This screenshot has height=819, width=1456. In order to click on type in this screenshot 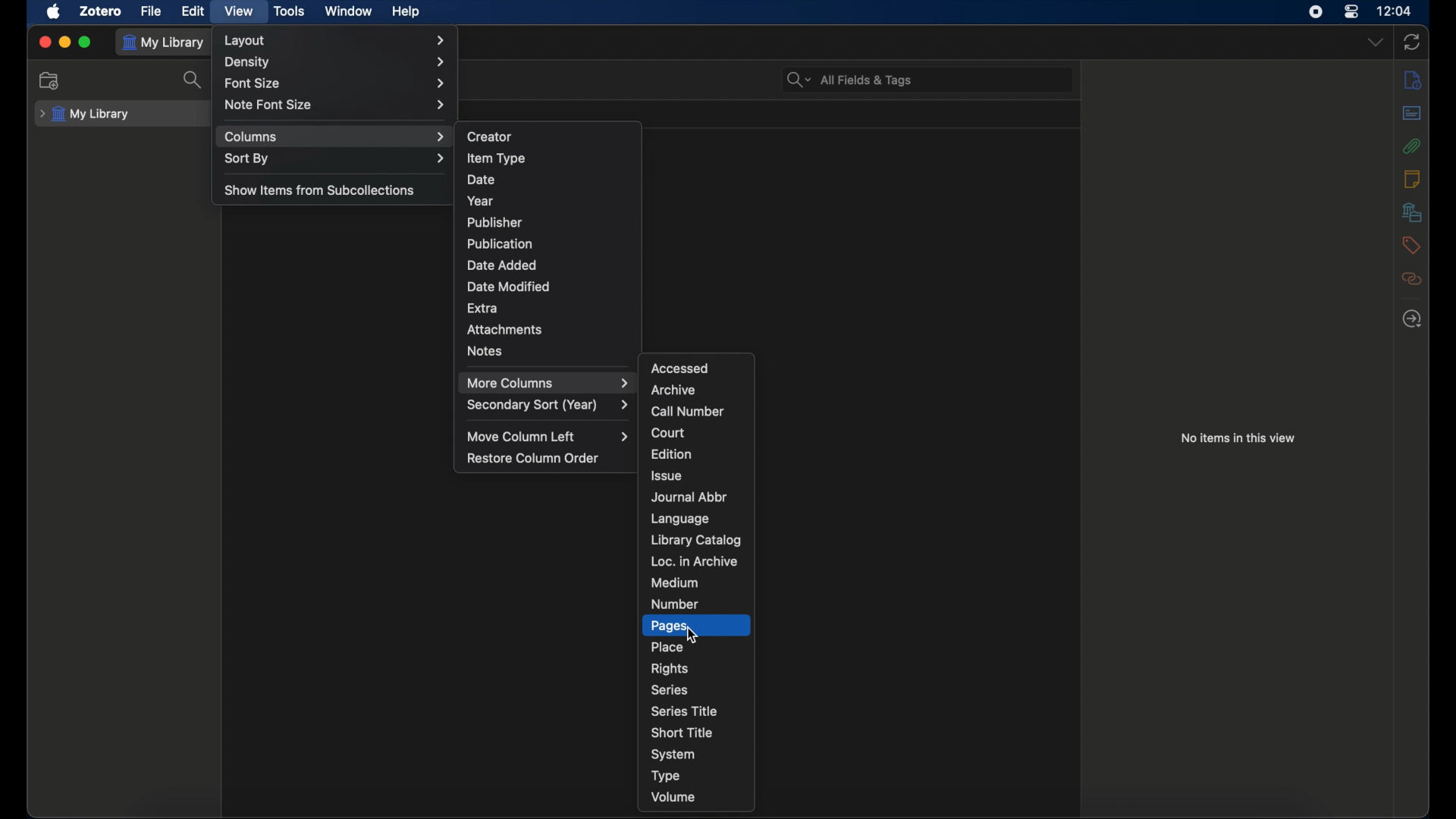, I will do `click(666, 777)`.